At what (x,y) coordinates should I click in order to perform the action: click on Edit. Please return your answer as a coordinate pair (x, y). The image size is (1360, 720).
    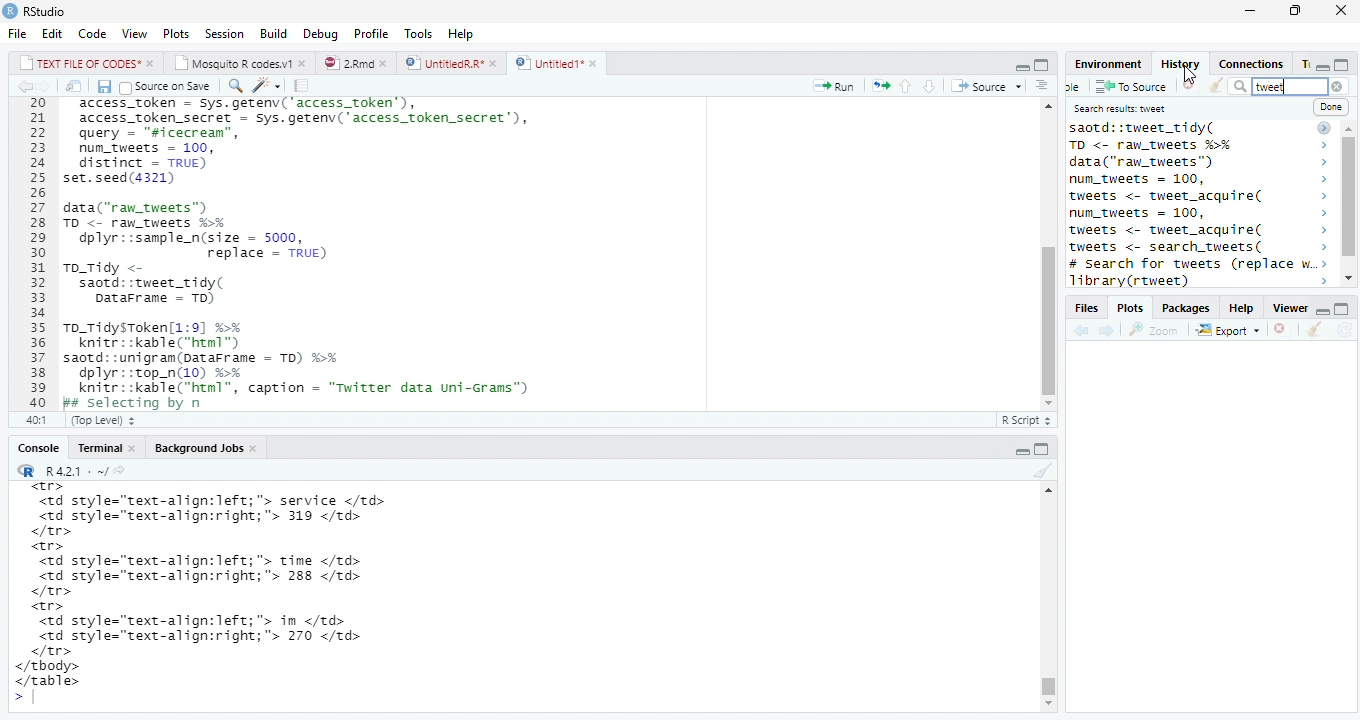
    Looking at the image, I should click on (51, 31).